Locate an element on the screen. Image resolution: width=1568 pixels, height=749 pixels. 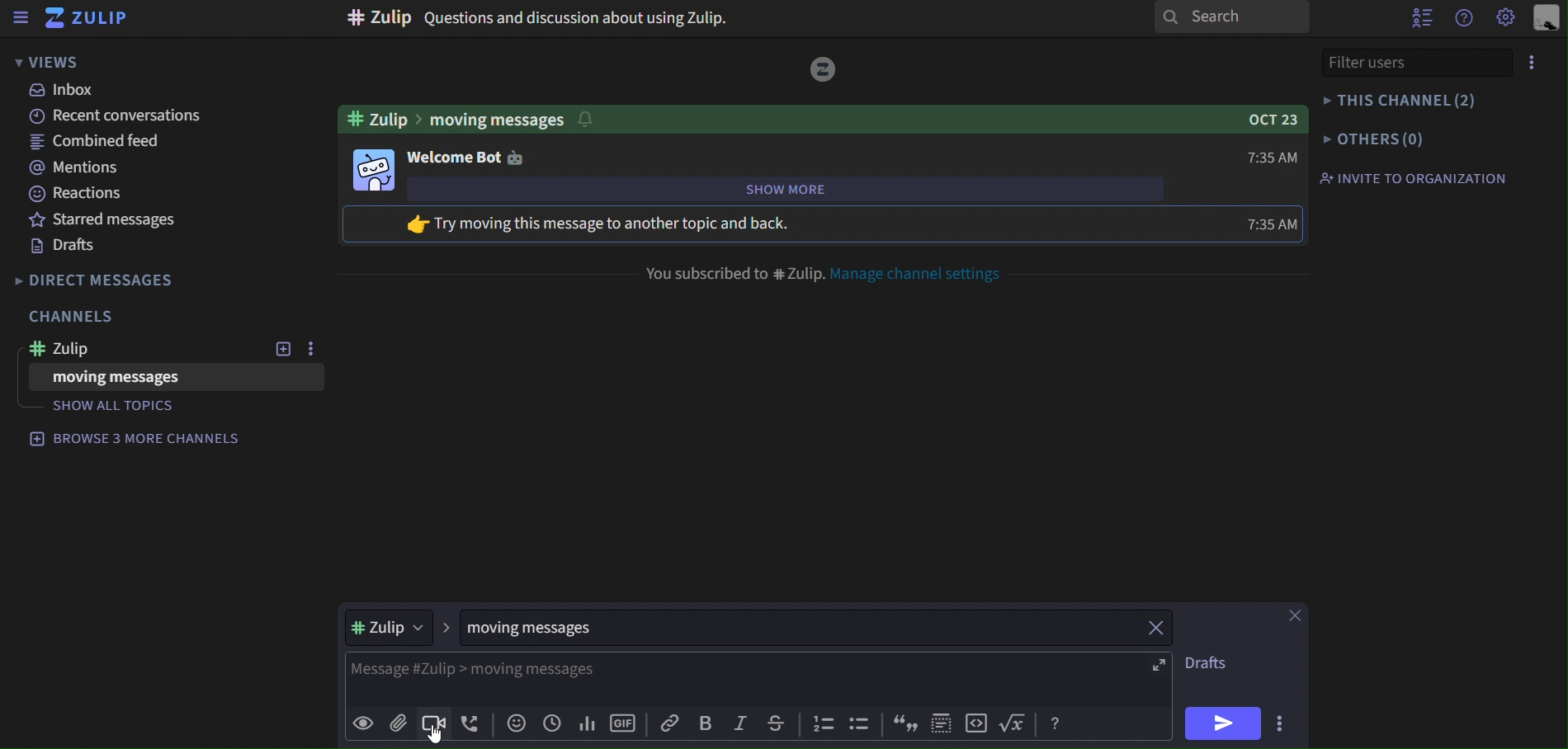
# Zulip Questions and discussion about using Zulip. is located at coordinates (536, 21).